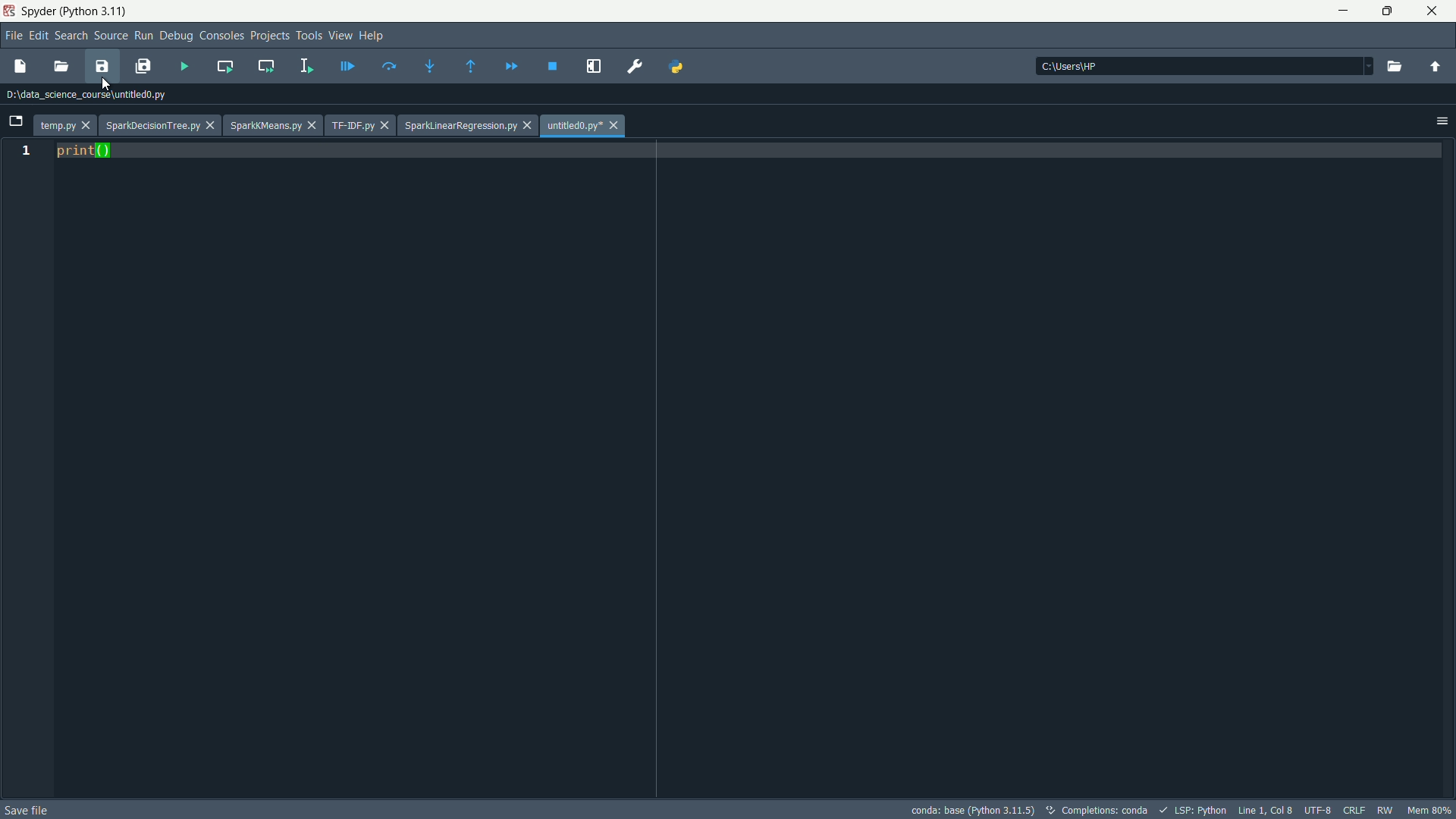 The height and width of the screenshot is (819, 1456). I want to click on debug file, so click(348, 65).